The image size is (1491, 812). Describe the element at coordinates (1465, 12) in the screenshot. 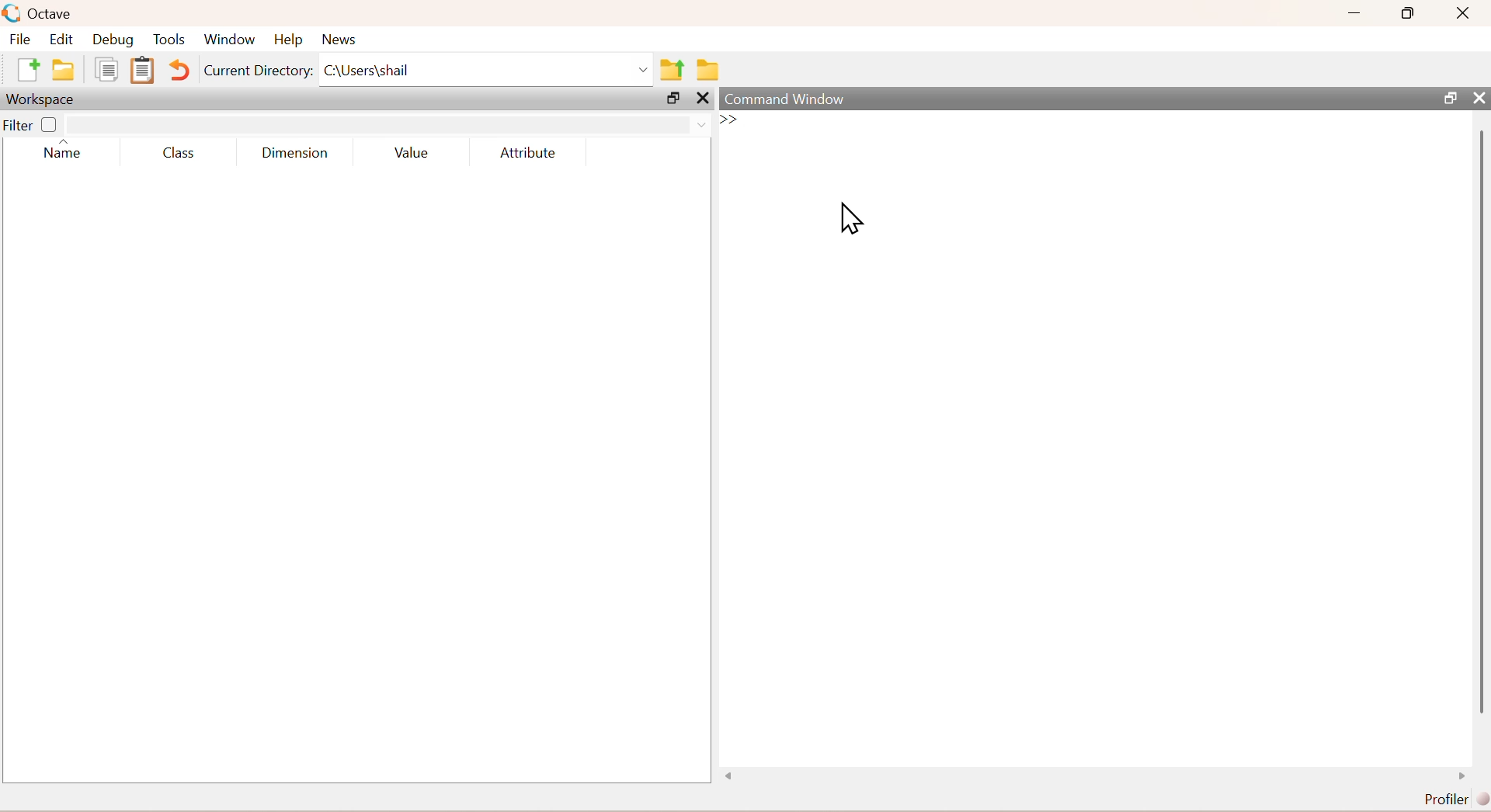

I see `close` at that location.